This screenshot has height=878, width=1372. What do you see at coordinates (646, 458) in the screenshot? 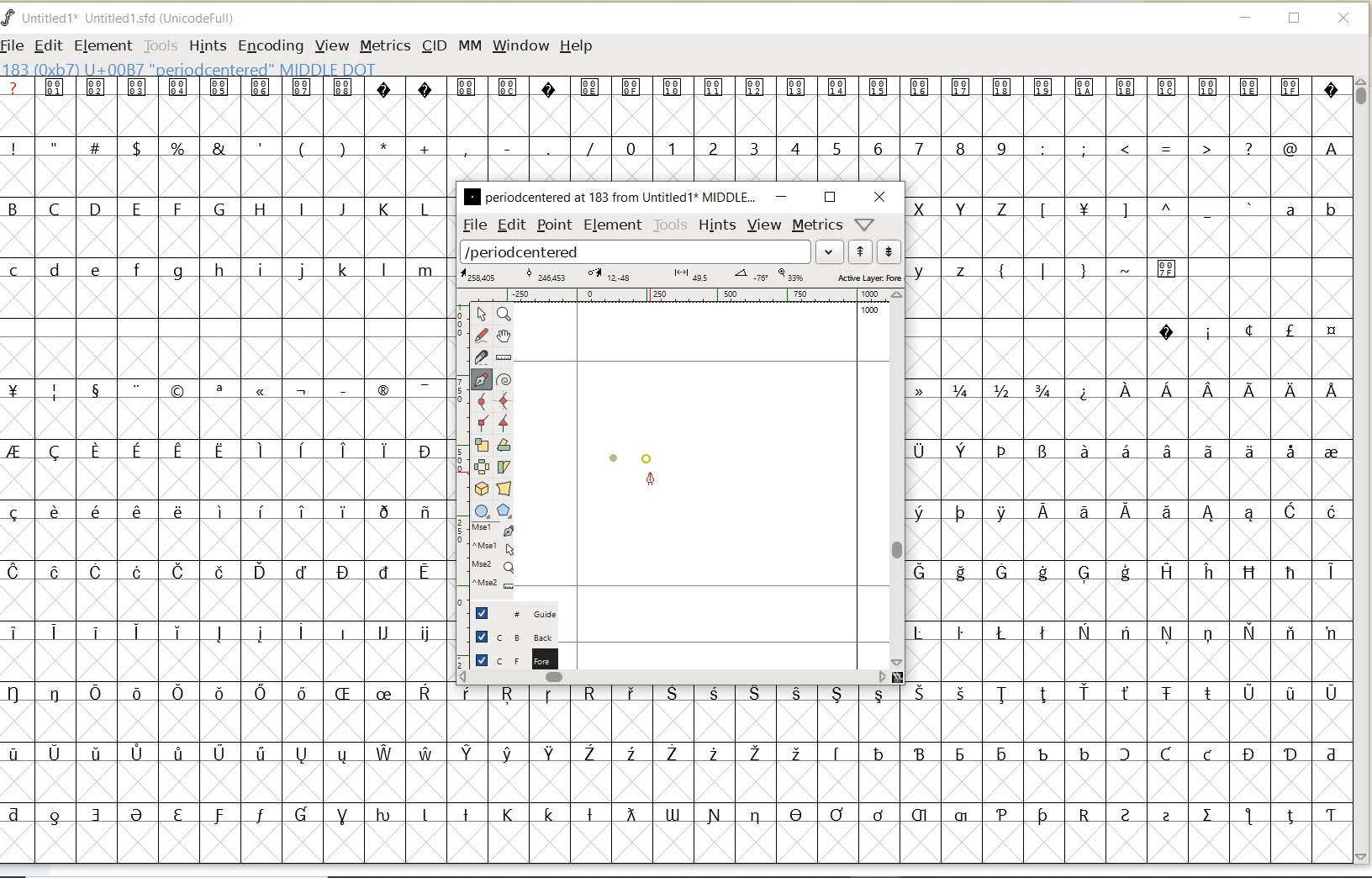
I see `dot` at bounding box center [646, 458].